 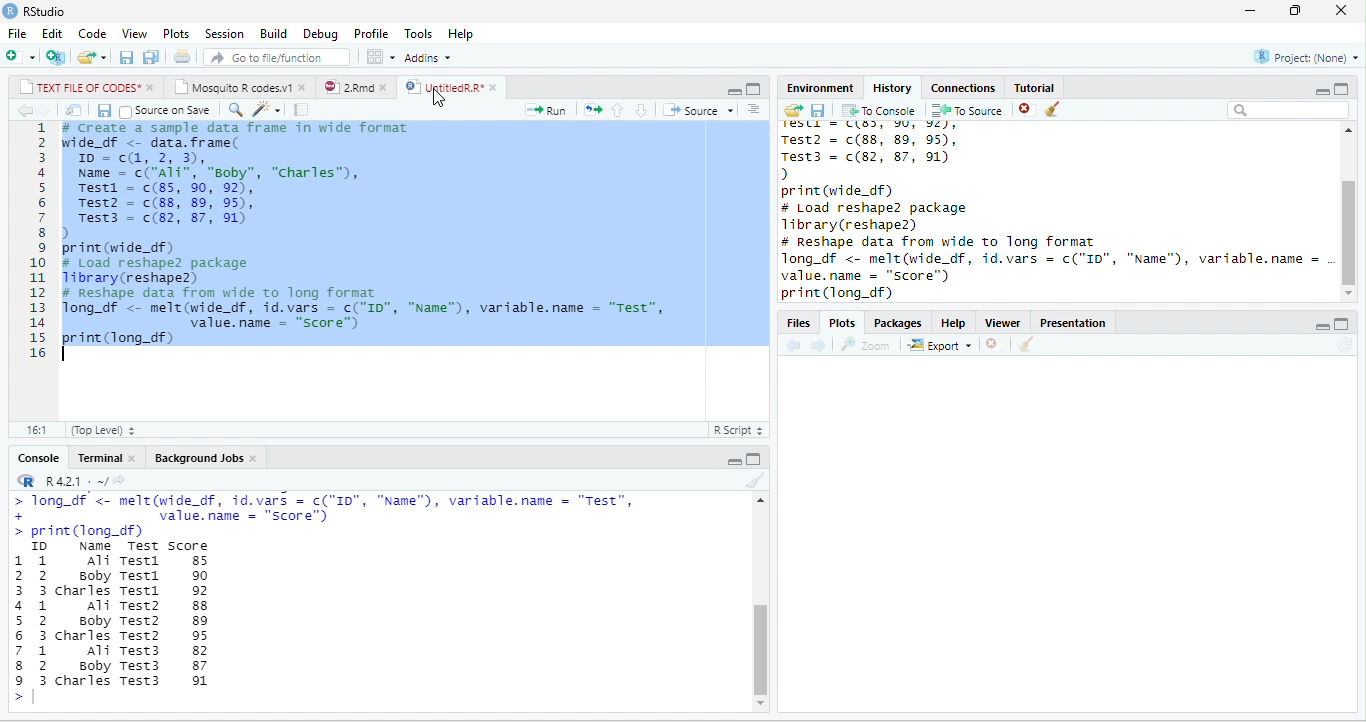 What do you see at coordinates (642, 110) in the screenshot?
I see `down` at bounding box center [642, 110].